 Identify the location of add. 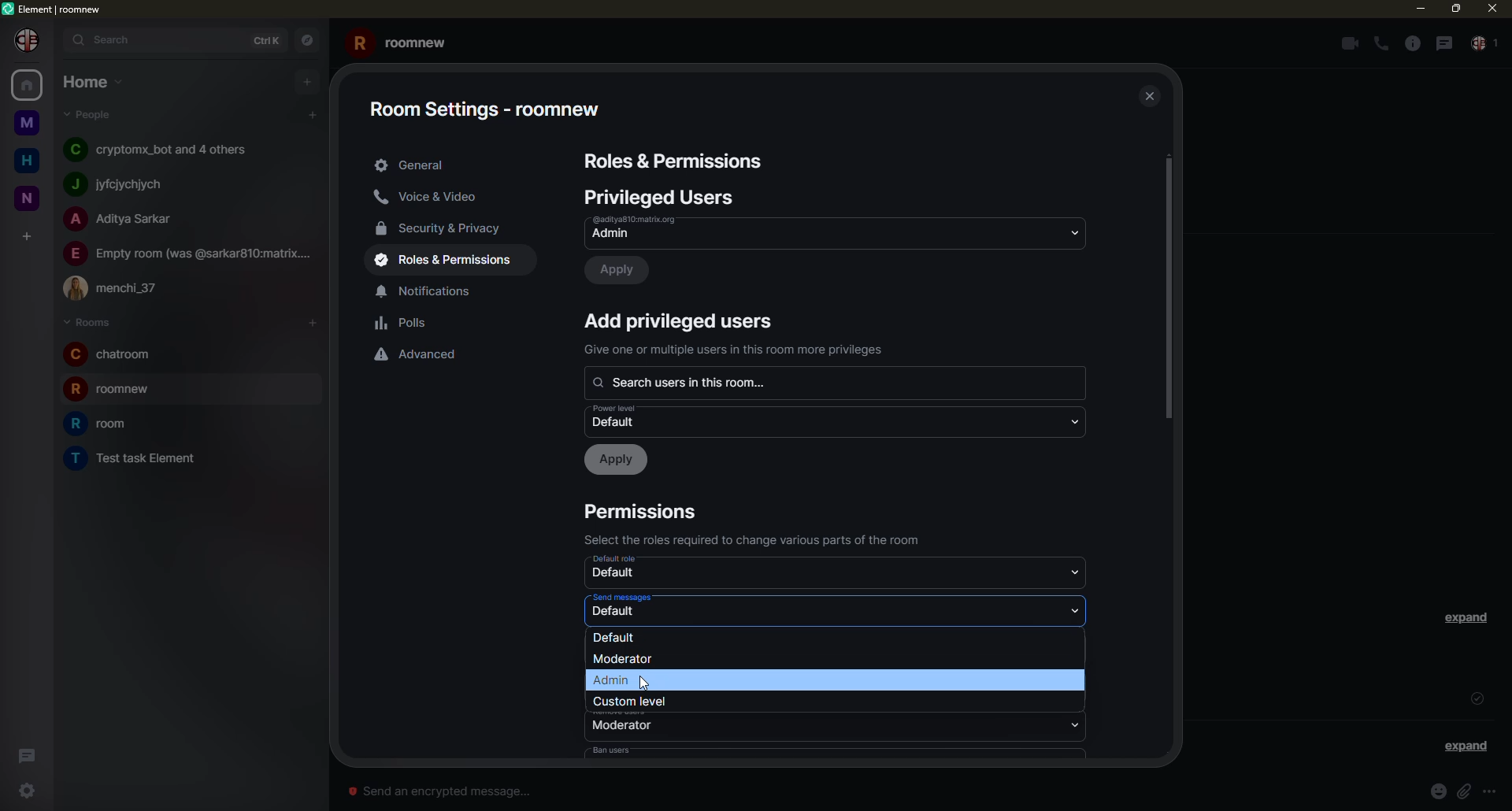
(310, 323).